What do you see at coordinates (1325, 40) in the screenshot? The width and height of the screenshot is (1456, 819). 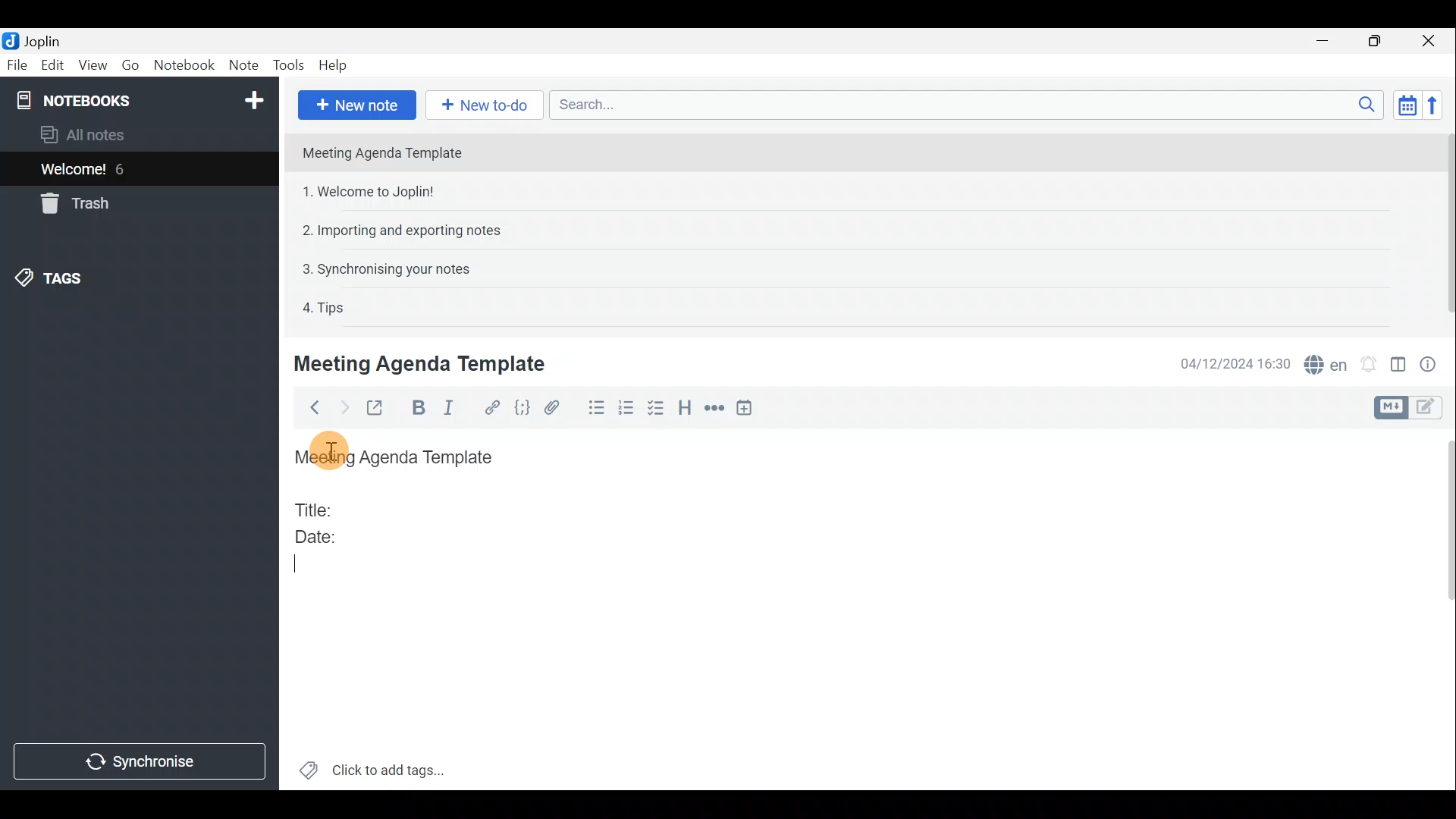 I see `Minimise` at bounding box center [1325, 40].